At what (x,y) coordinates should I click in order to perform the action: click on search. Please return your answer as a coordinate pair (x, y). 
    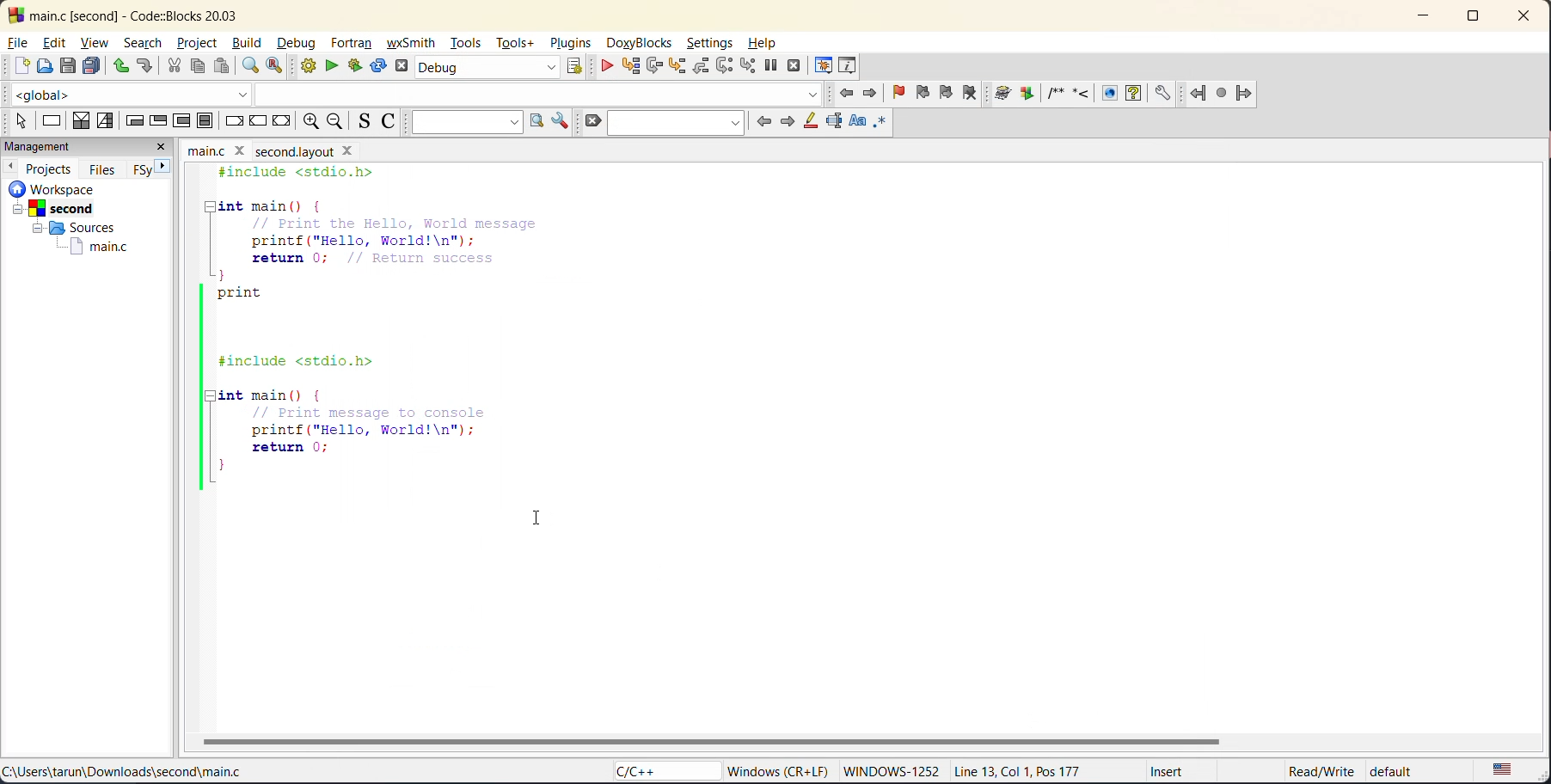
    Looking at the image, I should click on (144, 45).